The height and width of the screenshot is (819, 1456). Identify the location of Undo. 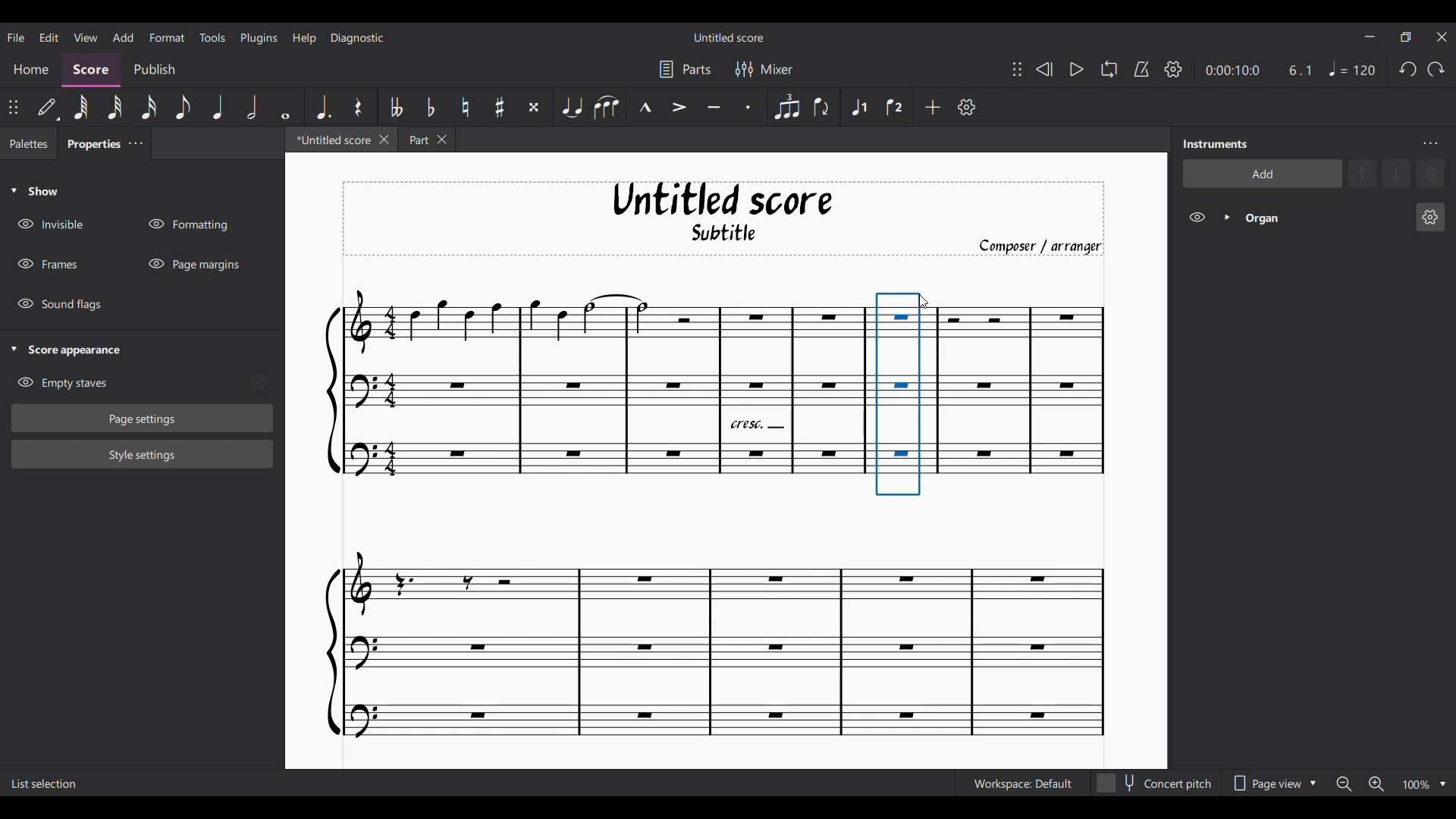
(1407, 69).